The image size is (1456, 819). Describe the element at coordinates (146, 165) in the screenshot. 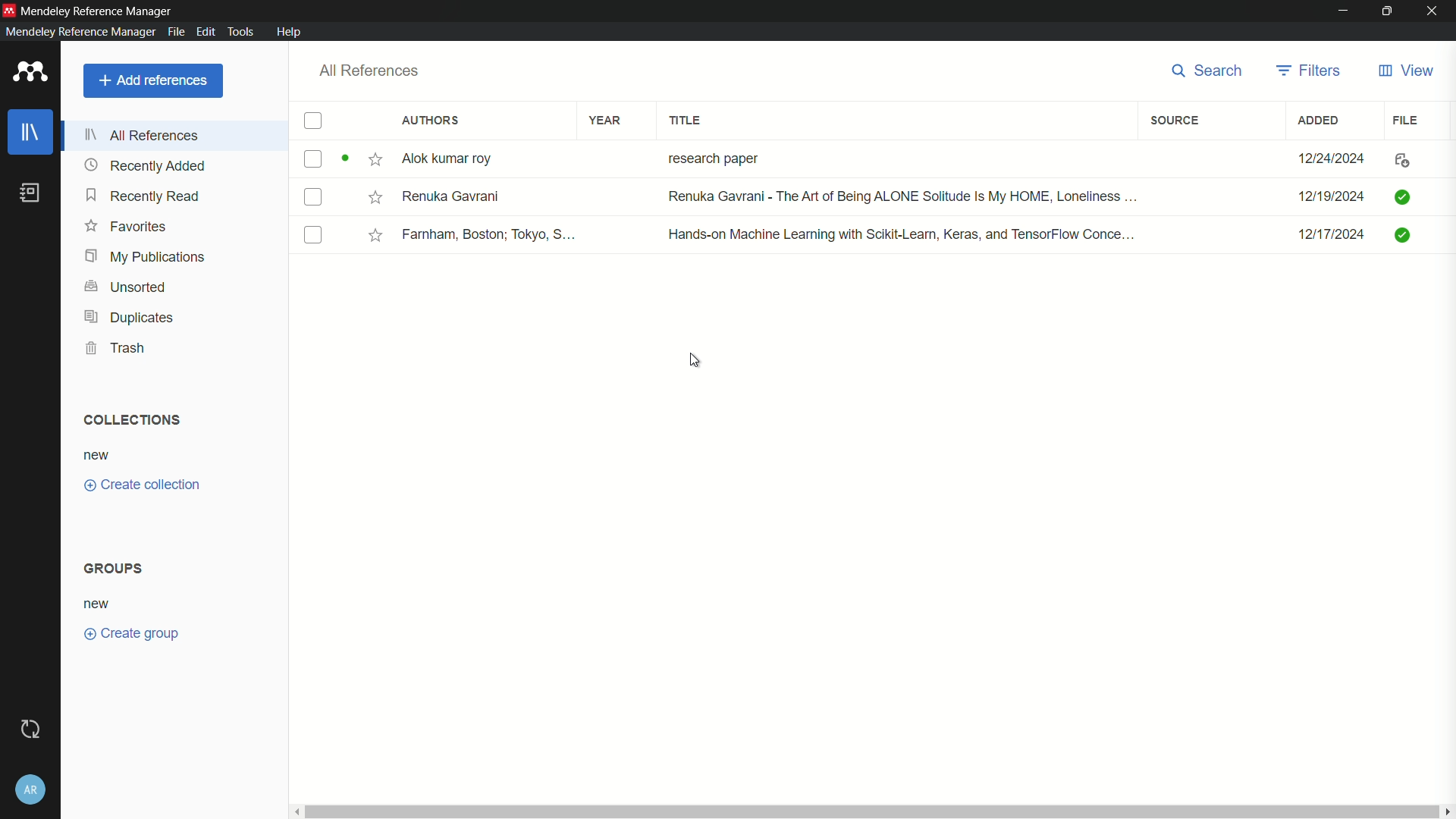

I see `recently added` at that location.